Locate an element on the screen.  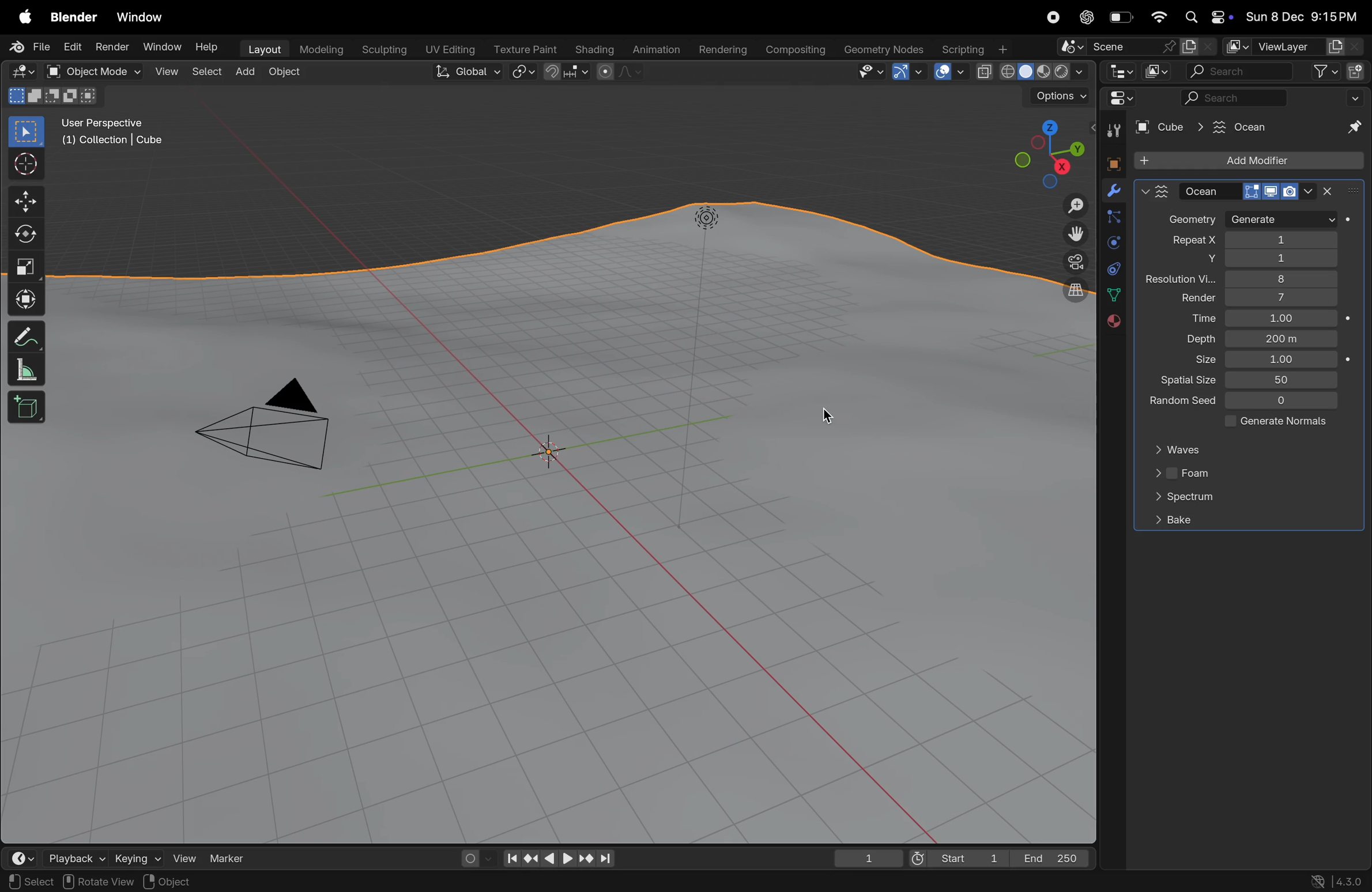
spatial size is located at coordinates (1183, 381).